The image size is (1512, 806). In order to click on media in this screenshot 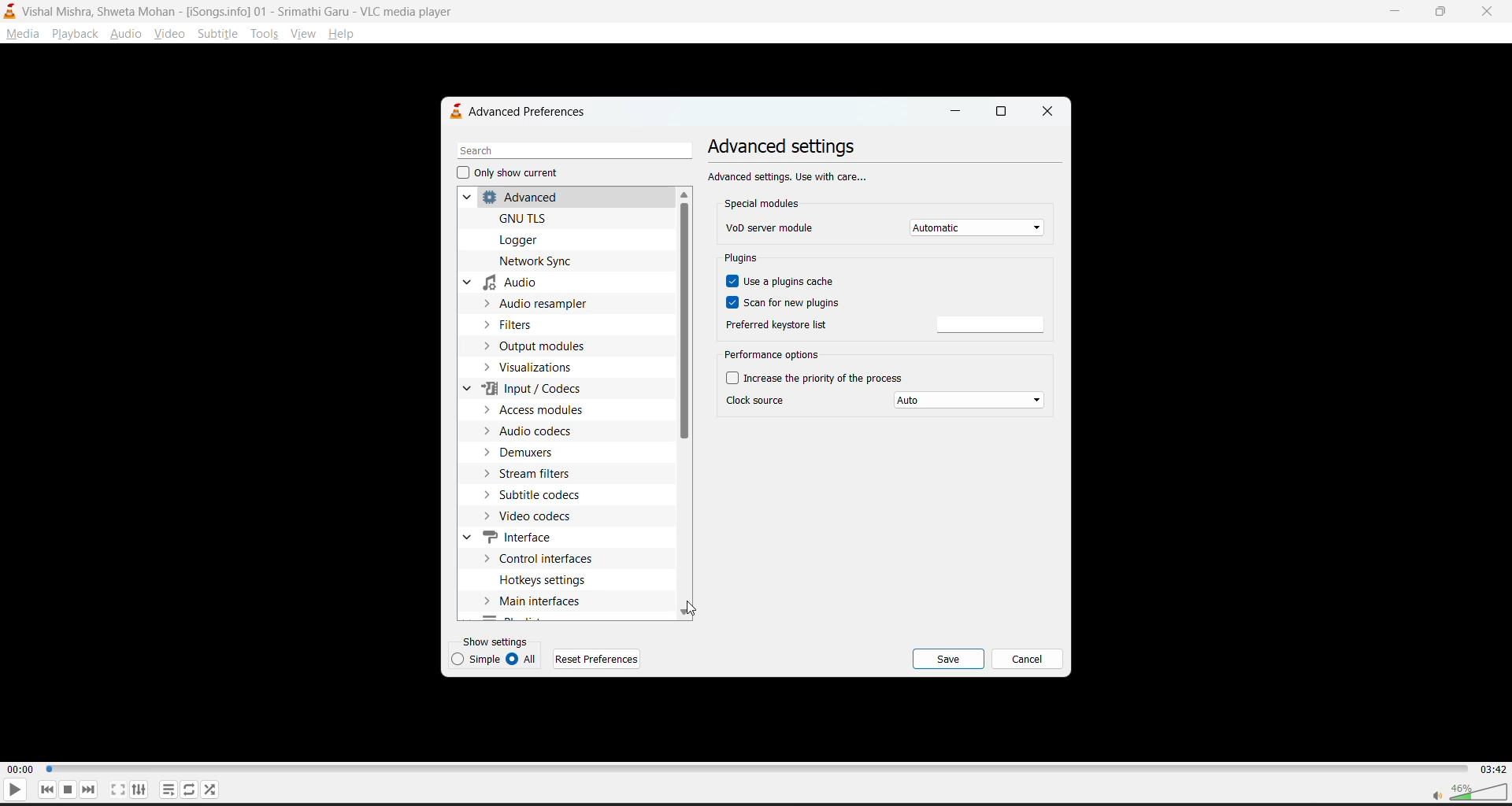, I will do `click(20, 32)`.